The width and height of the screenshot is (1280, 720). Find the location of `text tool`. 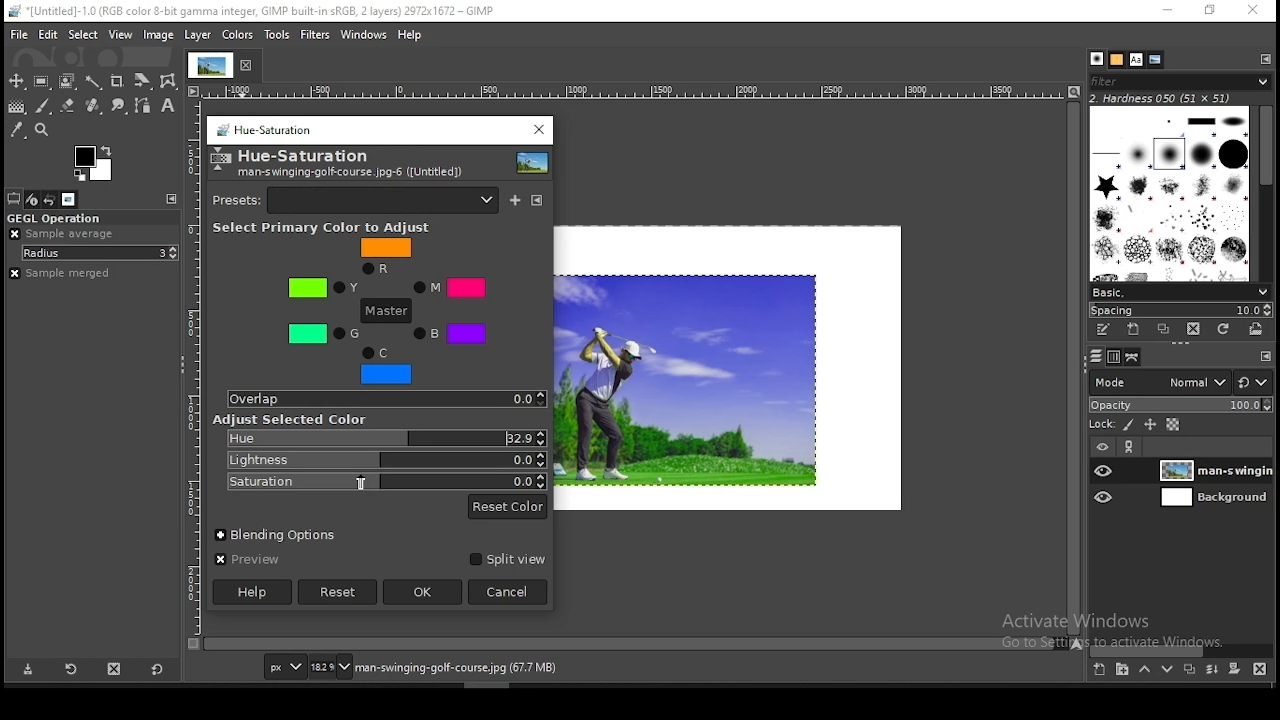

text tool is located at coordinates (167, 108).